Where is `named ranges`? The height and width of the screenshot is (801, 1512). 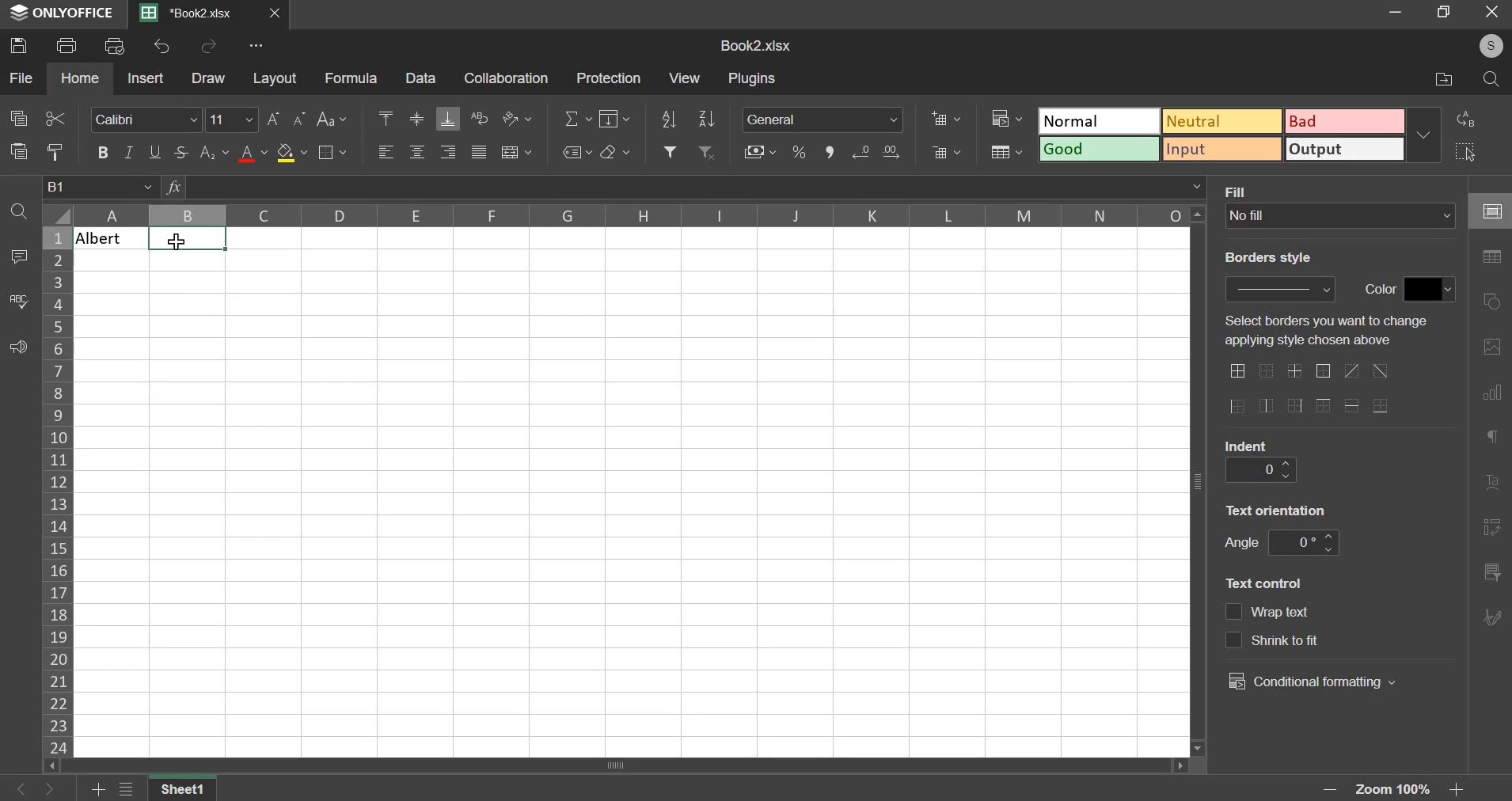
named ranges is located at coordinates (576, 152).